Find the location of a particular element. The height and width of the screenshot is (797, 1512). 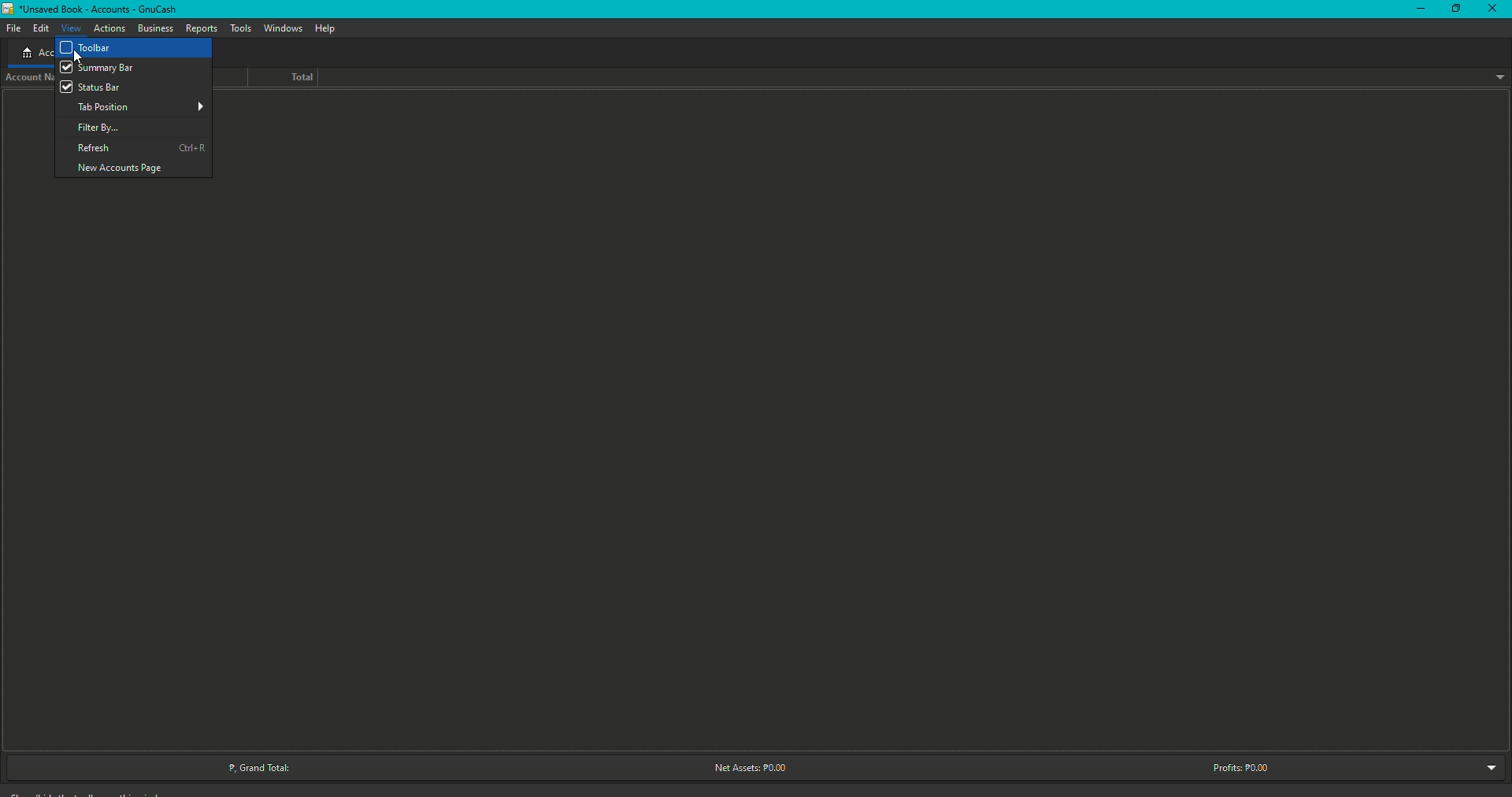

Profits is located at coordinates (1236, 765).